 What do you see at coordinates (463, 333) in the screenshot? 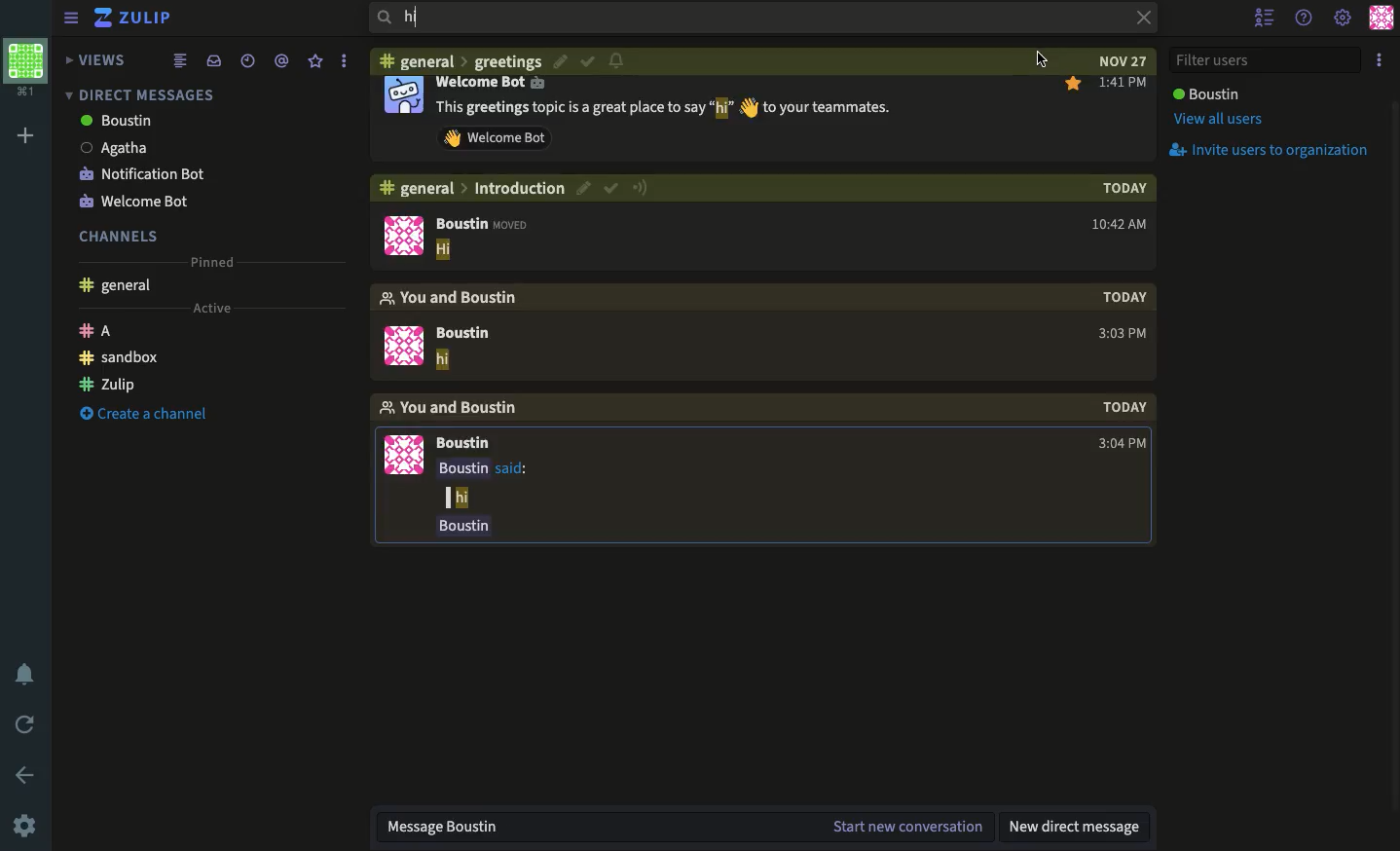
I see `Boustin` at bounding box center [463, 333].